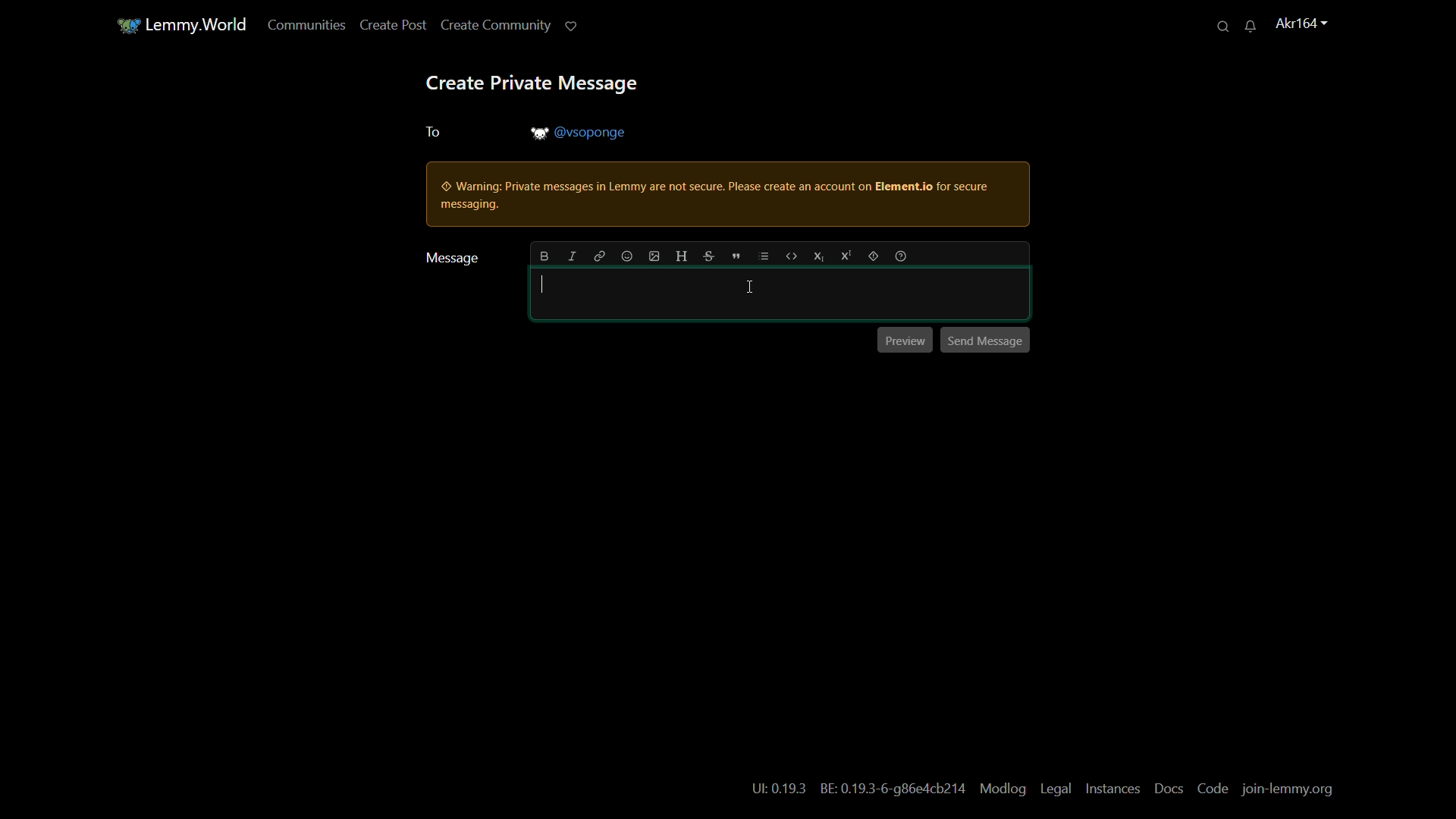 The image size is (1456, 819). I want to click on docs, so click(1170, 789).